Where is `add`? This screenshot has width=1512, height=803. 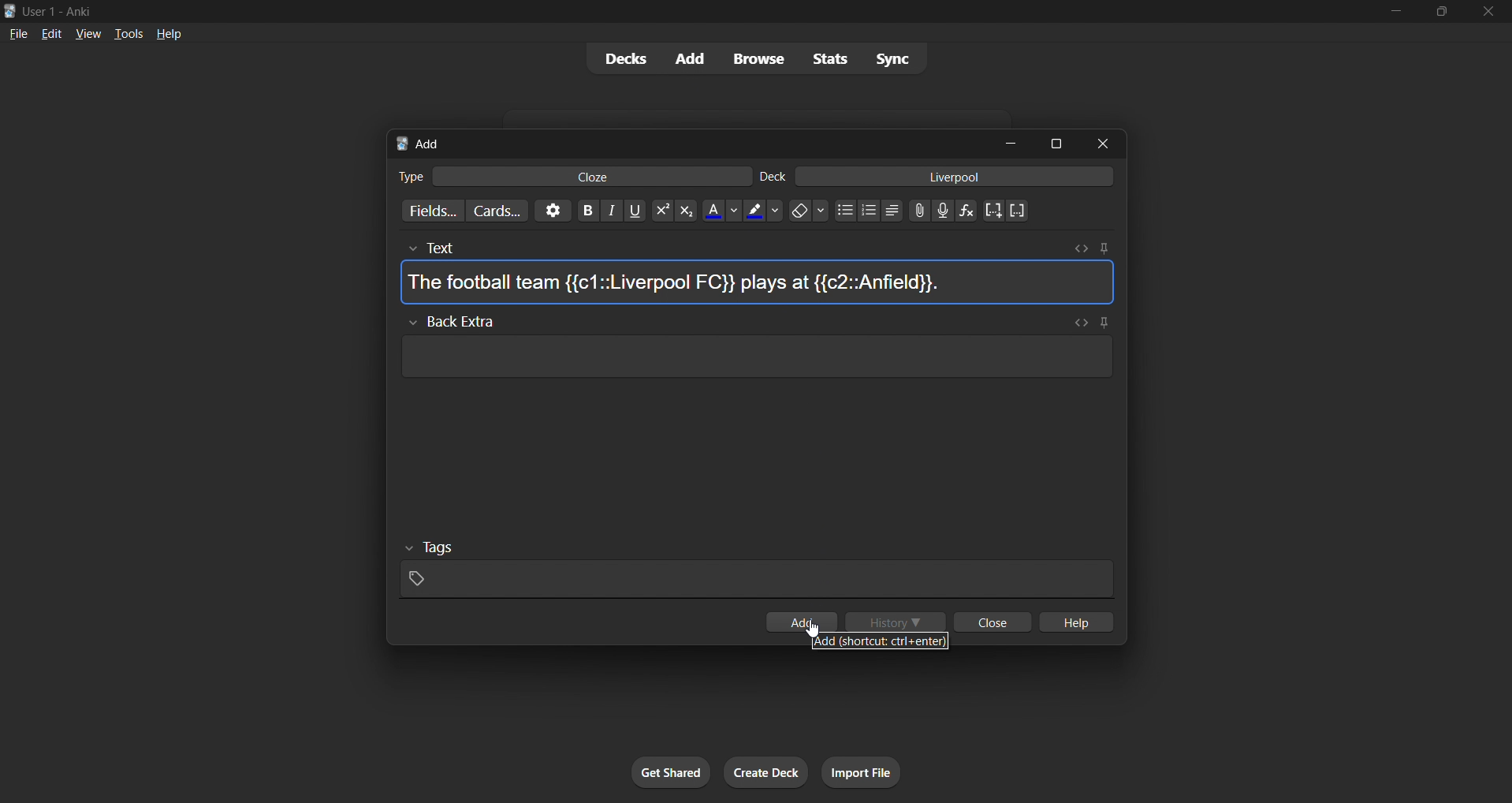 add is located at coordinates (695, 59).